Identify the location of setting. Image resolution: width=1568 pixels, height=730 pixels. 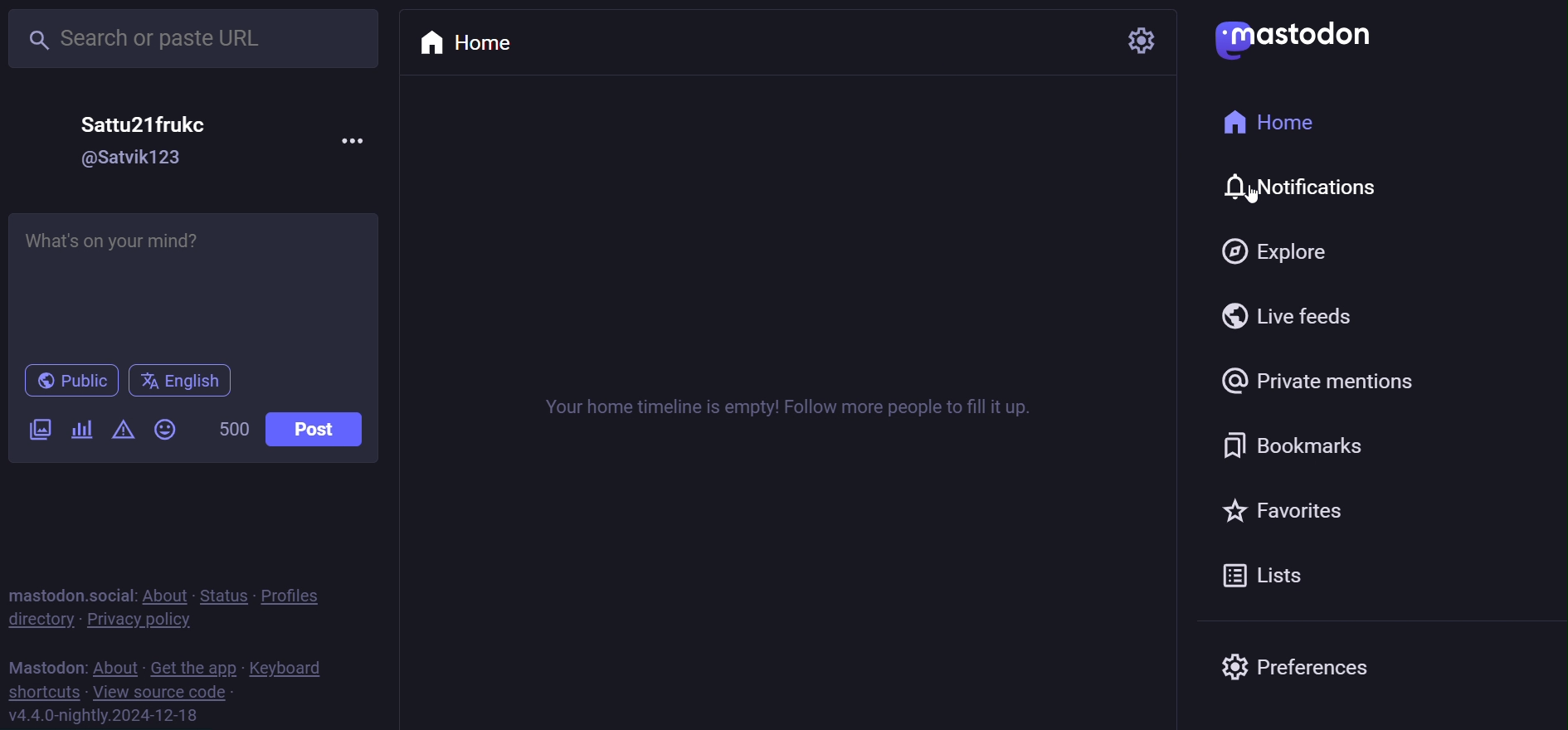
(1142, 42).